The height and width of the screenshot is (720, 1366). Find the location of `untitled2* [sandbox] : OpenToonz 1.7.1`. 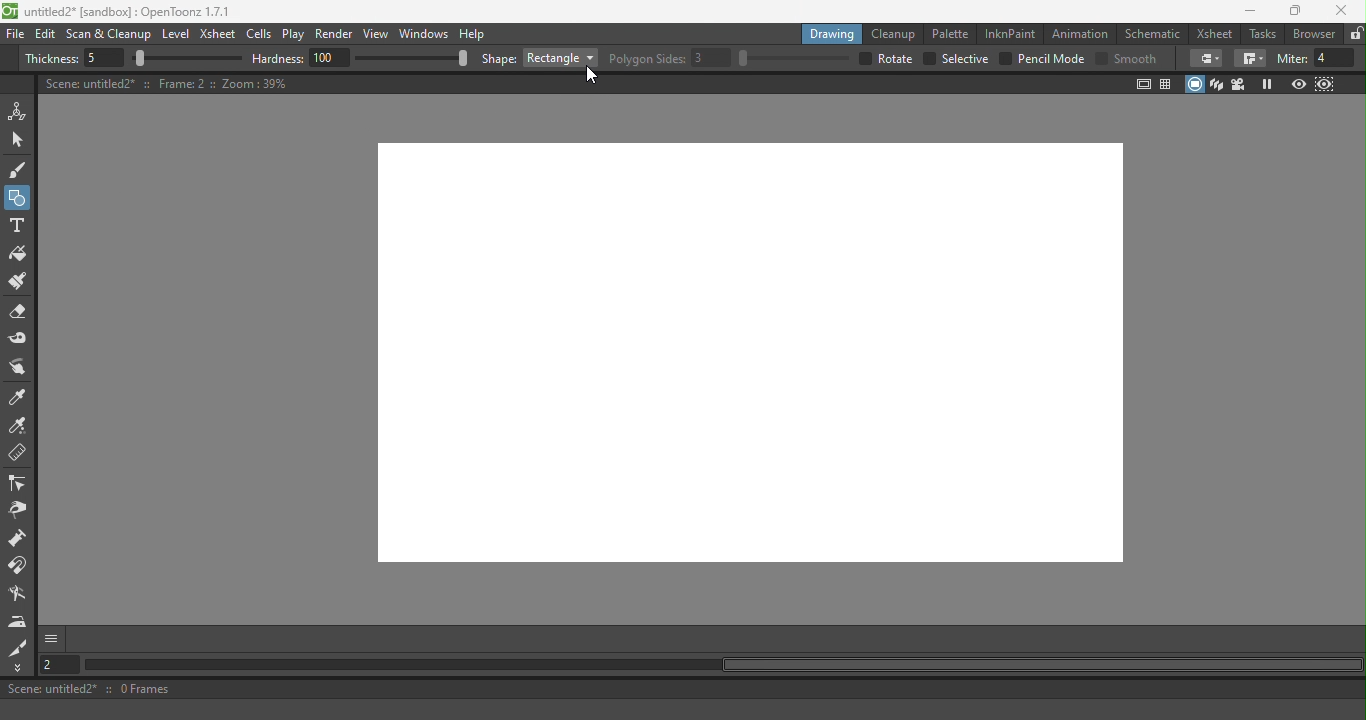

untitled2* [sandbox] : OpenToonz 1.7.1 is located at coordinates (116, 10).